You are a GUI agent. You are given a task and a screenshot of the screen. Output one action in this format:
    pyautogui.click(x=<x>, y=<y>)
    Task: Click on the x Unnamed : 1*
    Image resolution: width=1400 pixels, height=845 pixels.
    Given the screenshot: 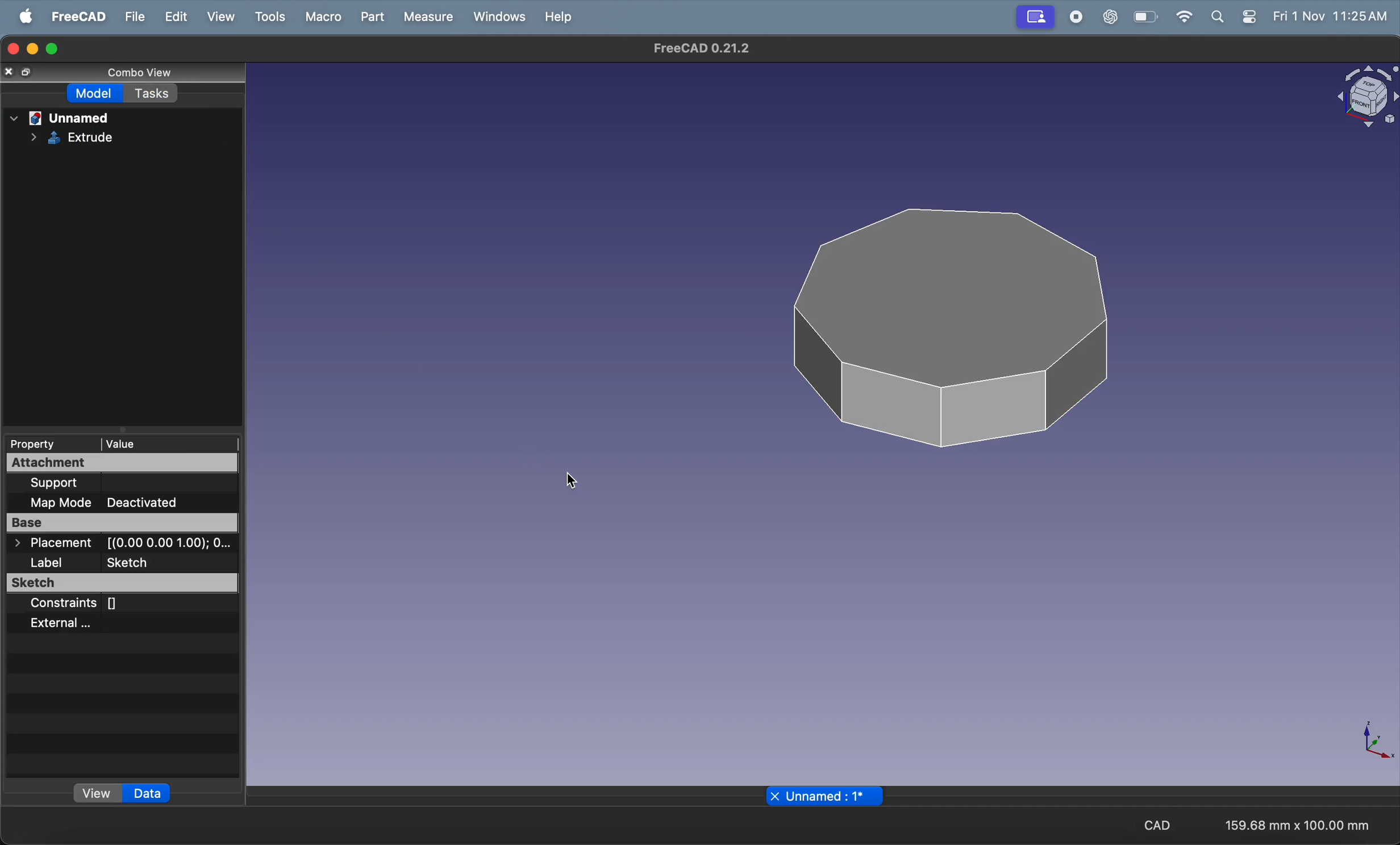 What is the action you would take?
    pyautogui.click(x=820, y=795)
    